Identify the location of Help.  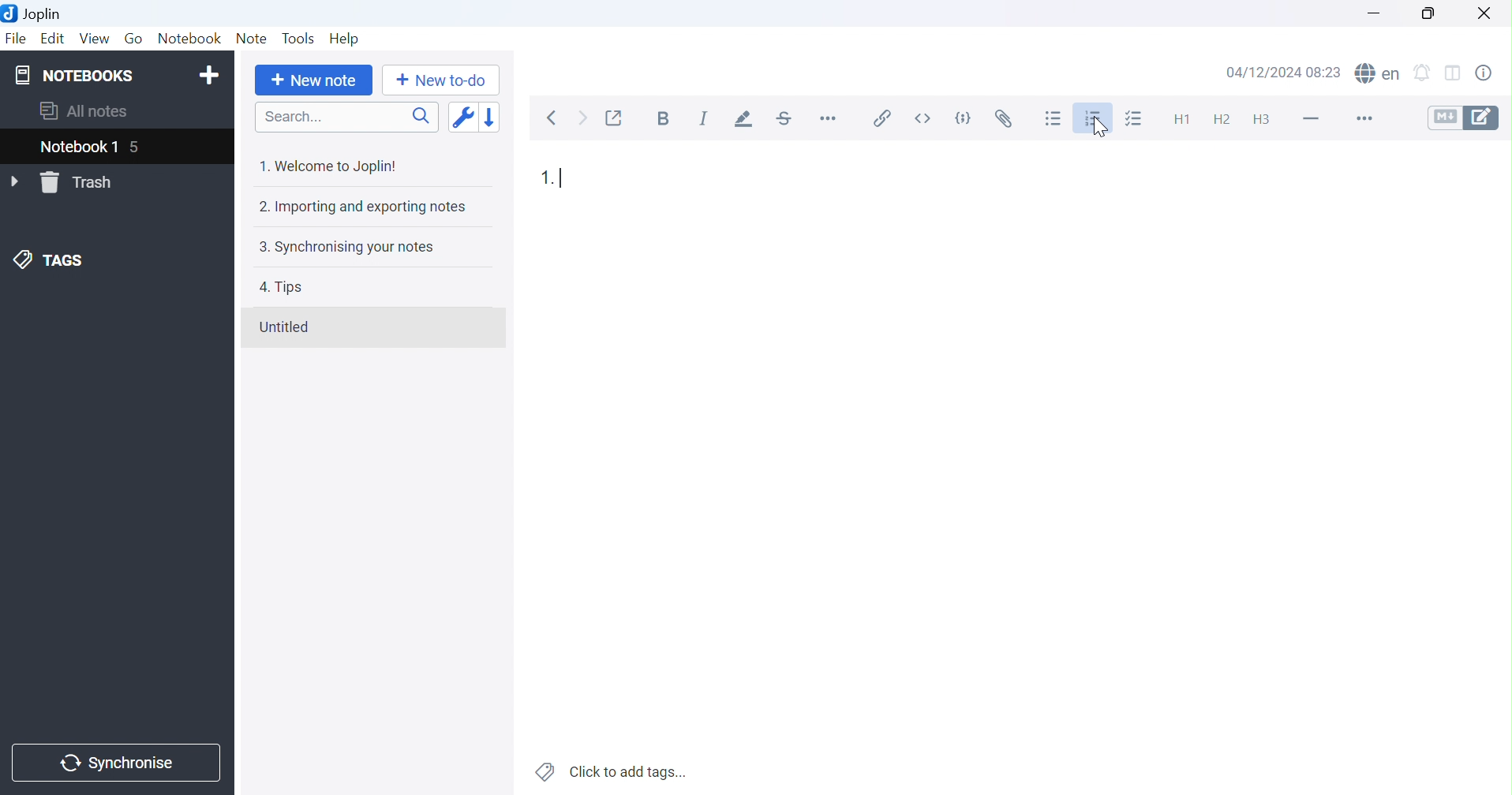
(342, 37).